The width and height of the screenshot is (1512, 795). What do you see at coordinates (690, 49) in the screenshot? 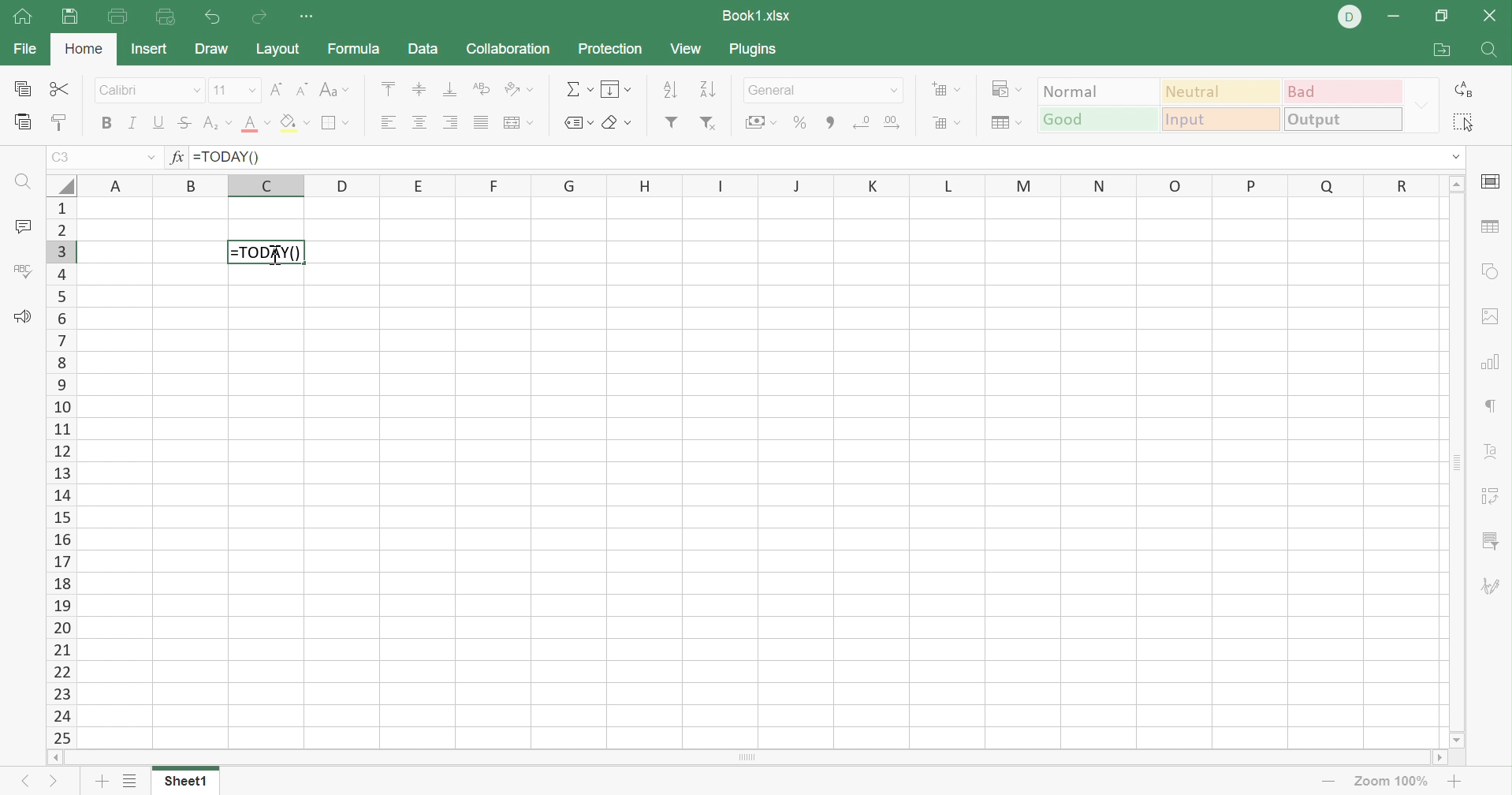
I see `View` at bounding box center [690, 49].